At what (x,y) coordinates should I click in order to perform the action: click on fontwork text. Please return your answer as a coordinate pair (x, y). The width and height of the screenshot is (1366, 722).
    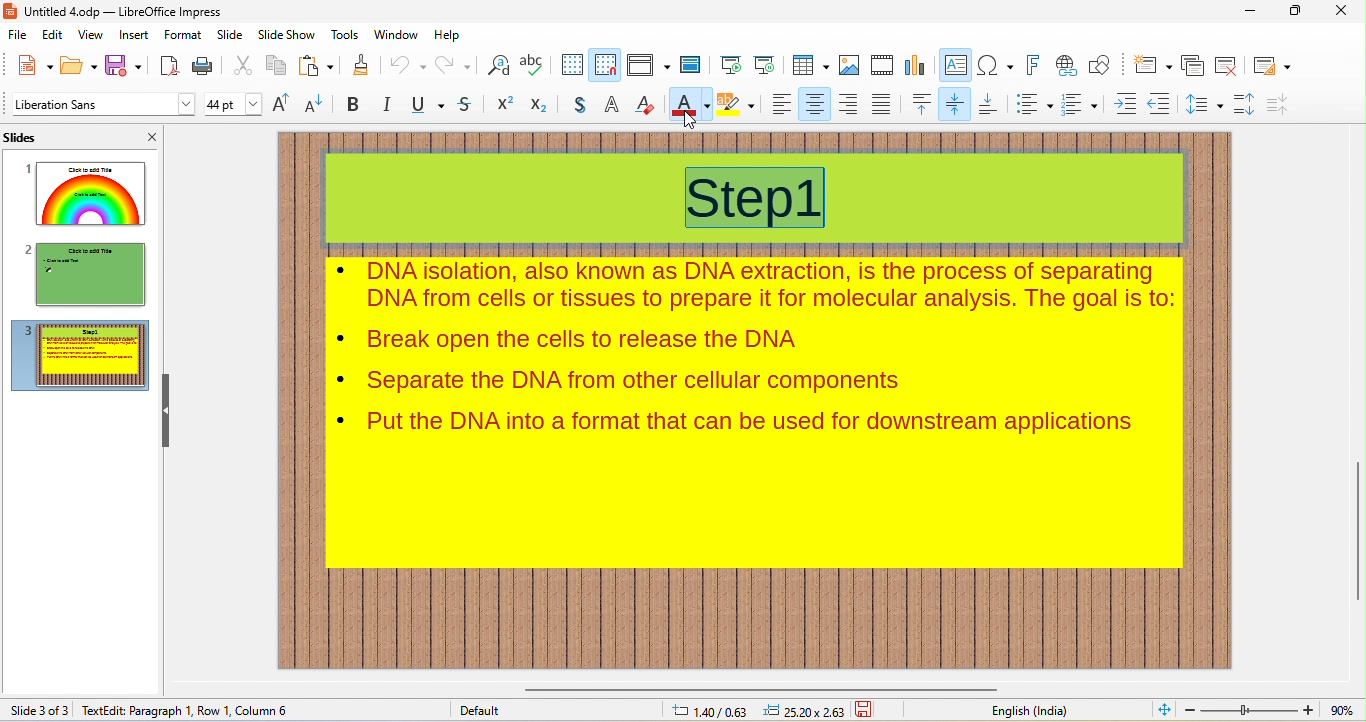
    Looking at the image, I should click on (1030, 64).